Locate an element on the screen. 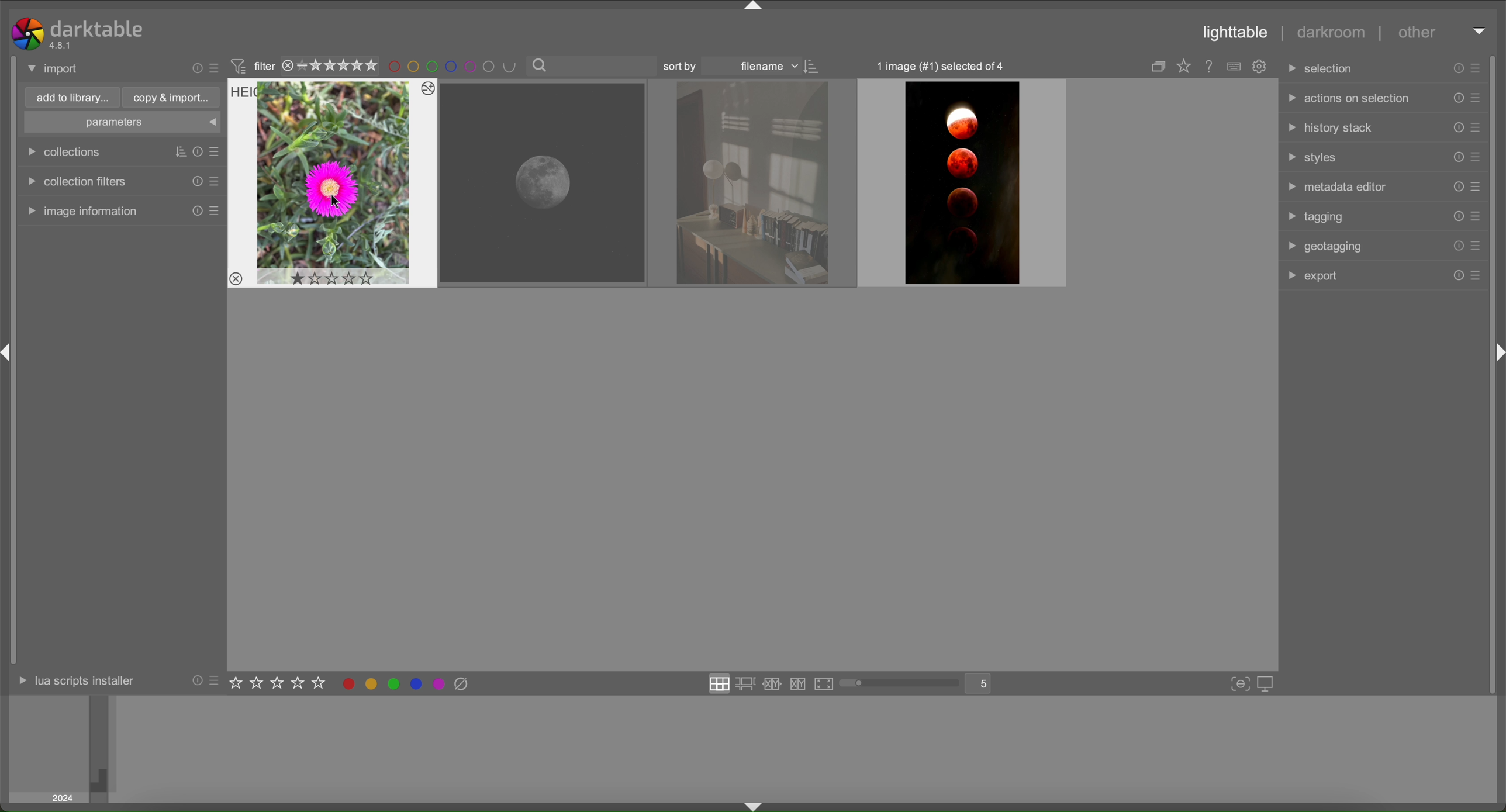 This screenshot has width=1506, height=812. presets is located at coordinates (215, 211).